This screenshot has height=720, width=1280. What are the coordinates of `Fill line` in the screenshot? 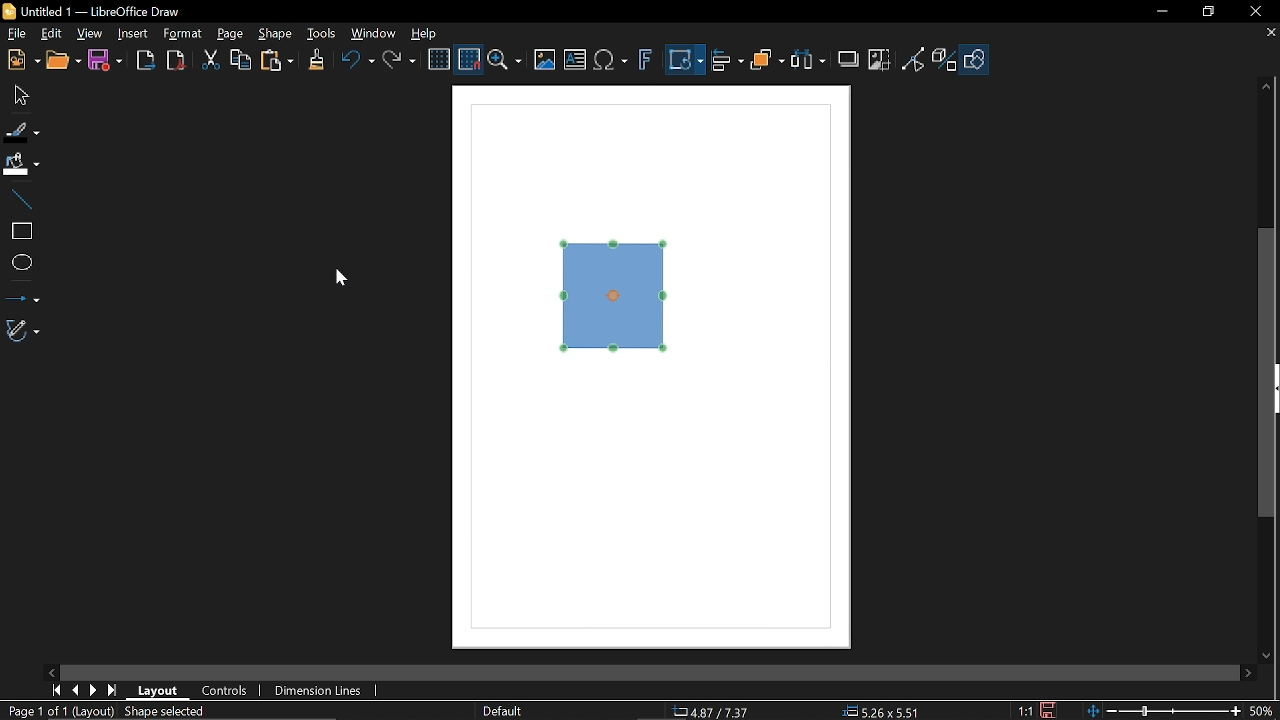 It's located at (22, 129).